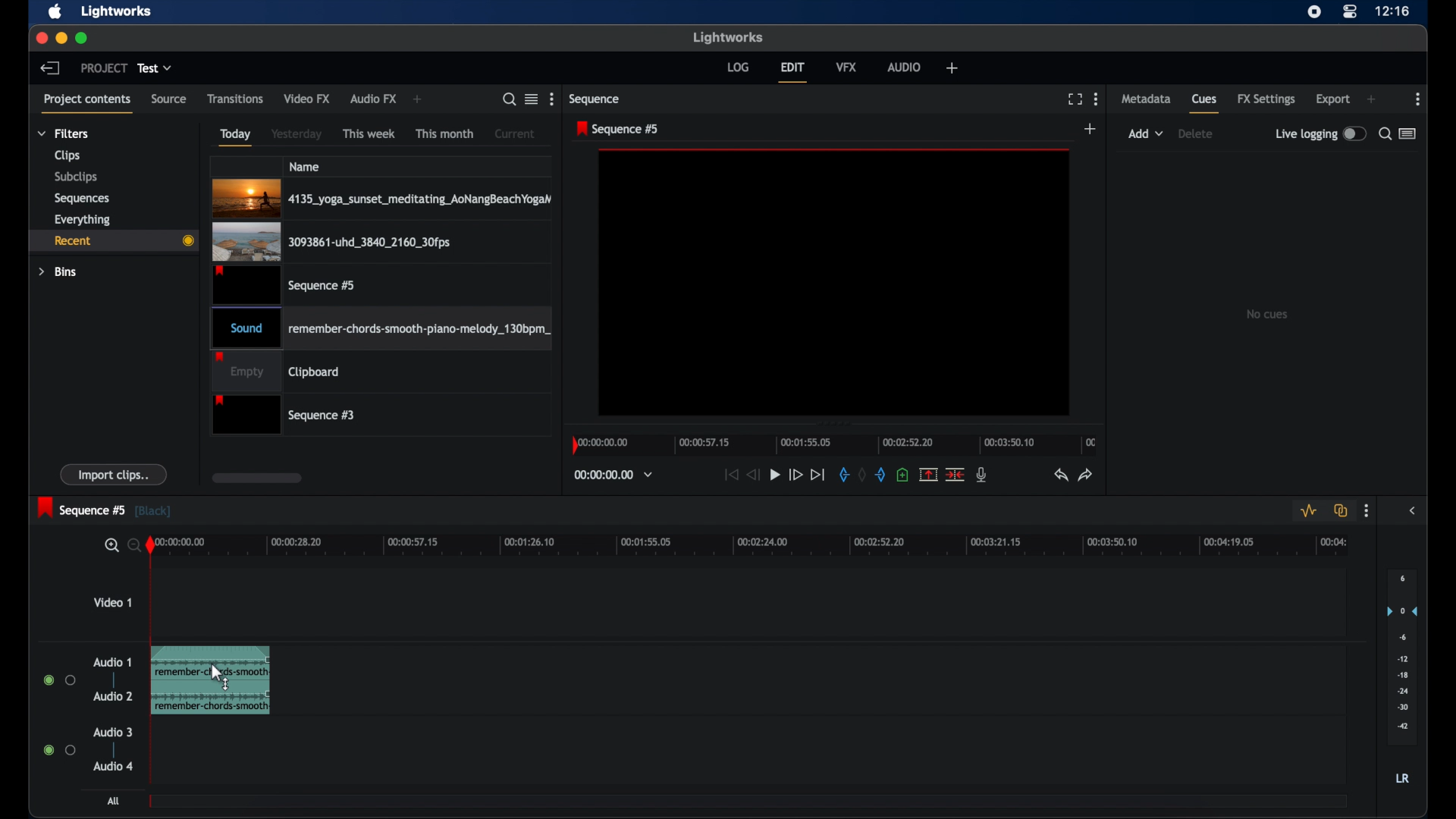  I want to click on this month, so click(446, 134).